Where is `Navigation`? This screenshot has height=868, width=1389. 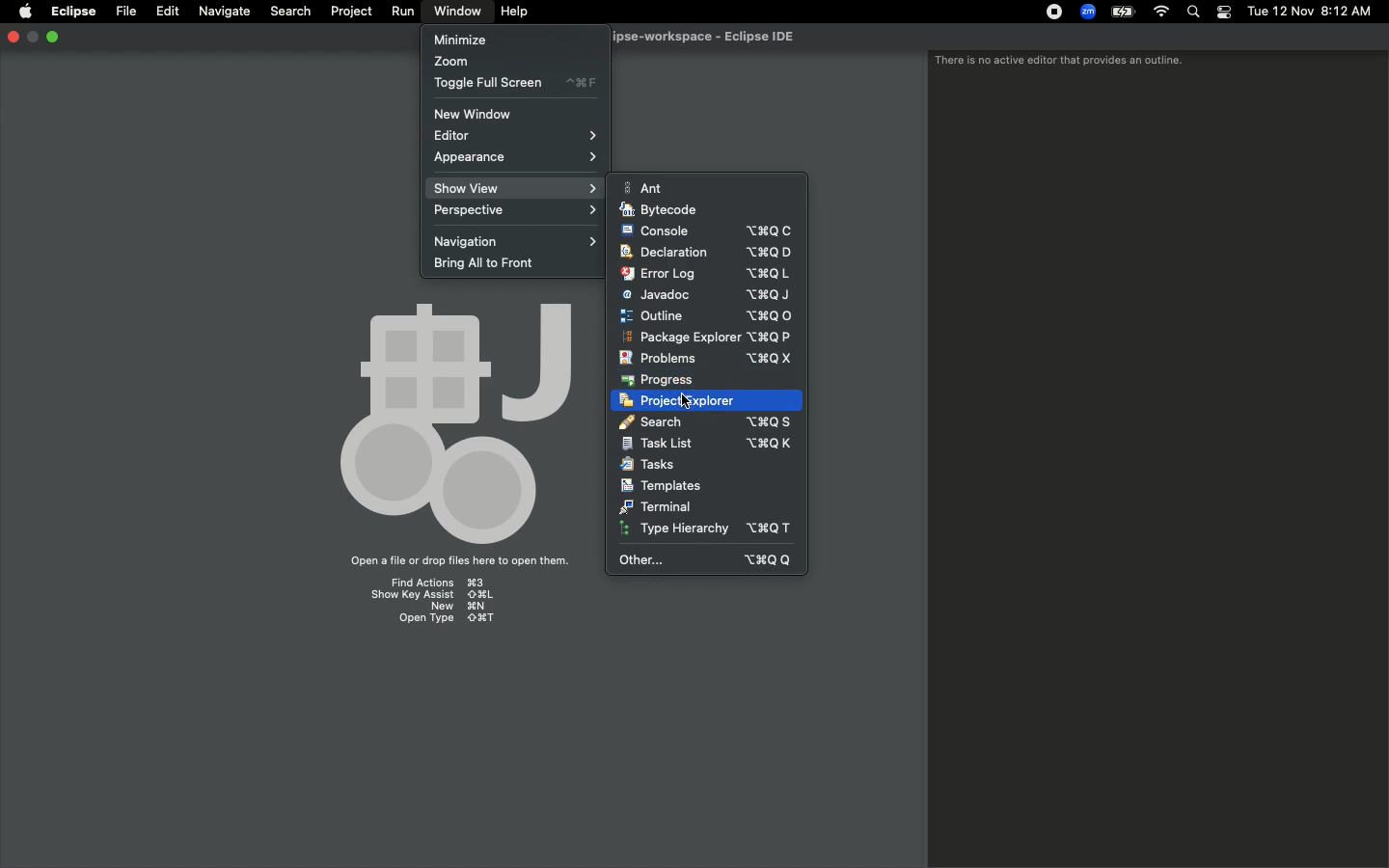
Navigation is located at coordinates (510, 242).